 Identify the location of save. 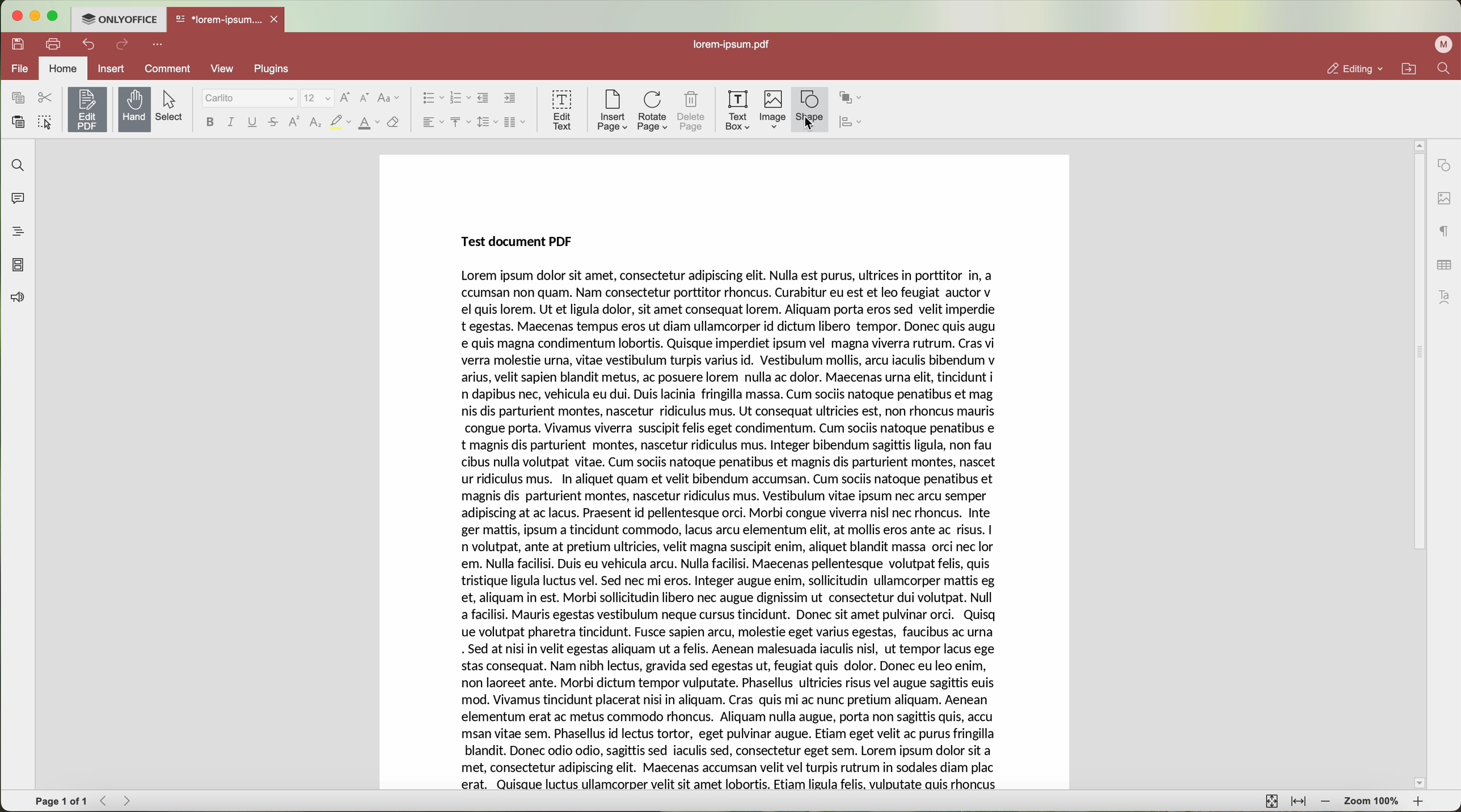
(19, 43).